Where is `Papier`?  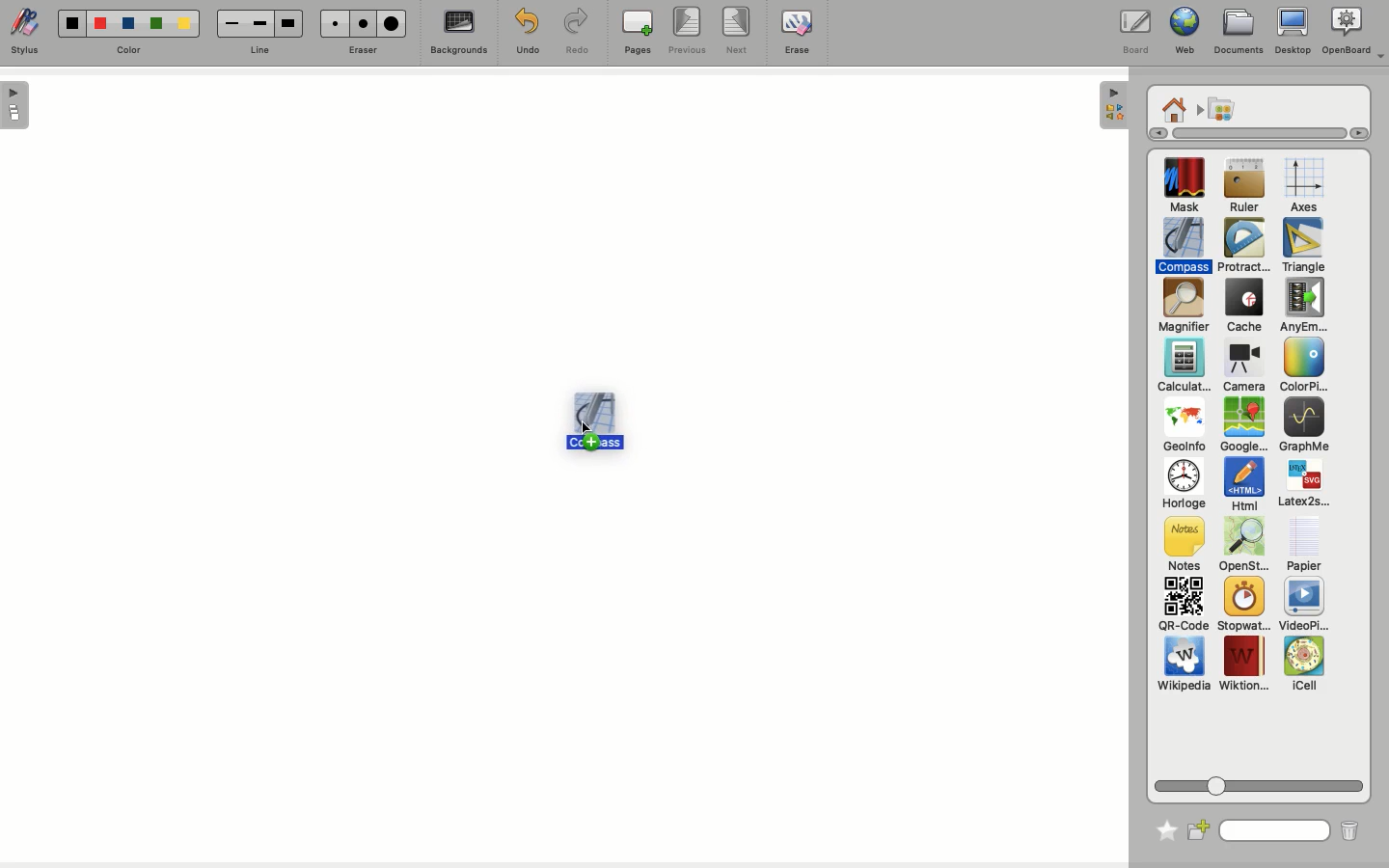
Papier is located at coordinates (1303, 543).